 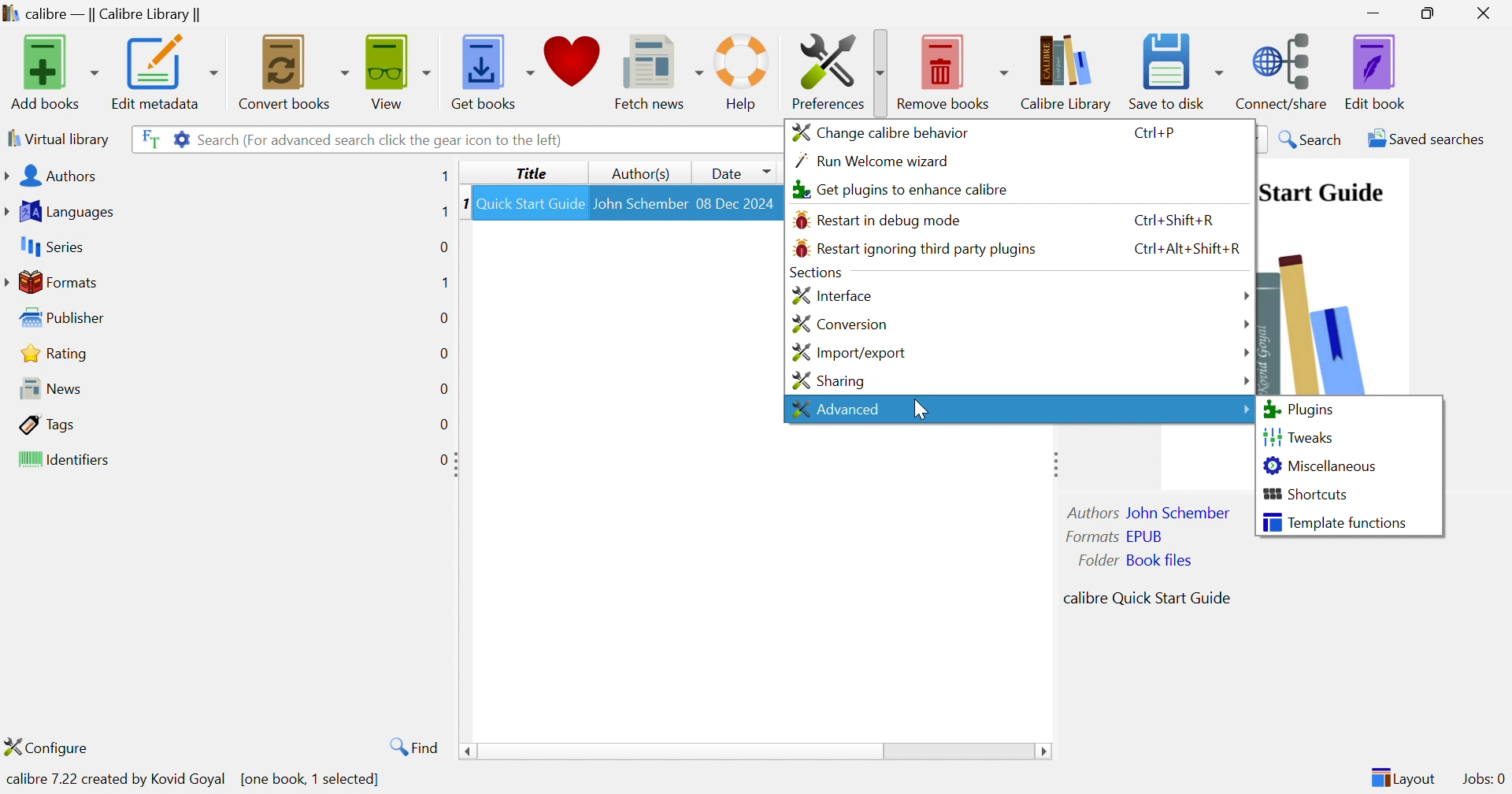 What do you see at coordinates (395, 69) in the screenshot?
I see `View` at bounding box center [395, 69].